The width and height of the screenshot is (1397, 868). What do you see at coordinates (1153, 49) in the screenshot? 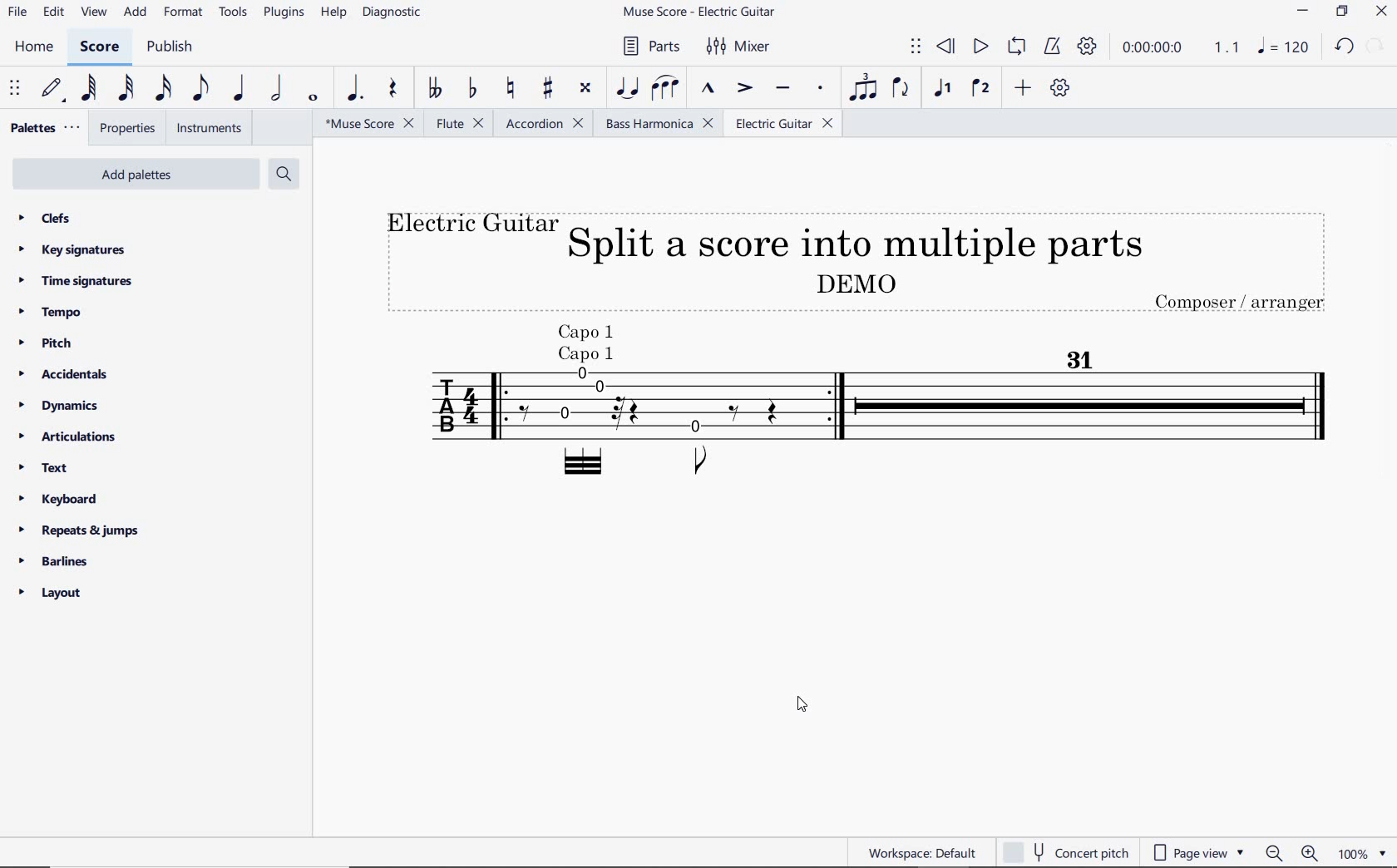
I see `playback time` at bounding box center [1153, 49].